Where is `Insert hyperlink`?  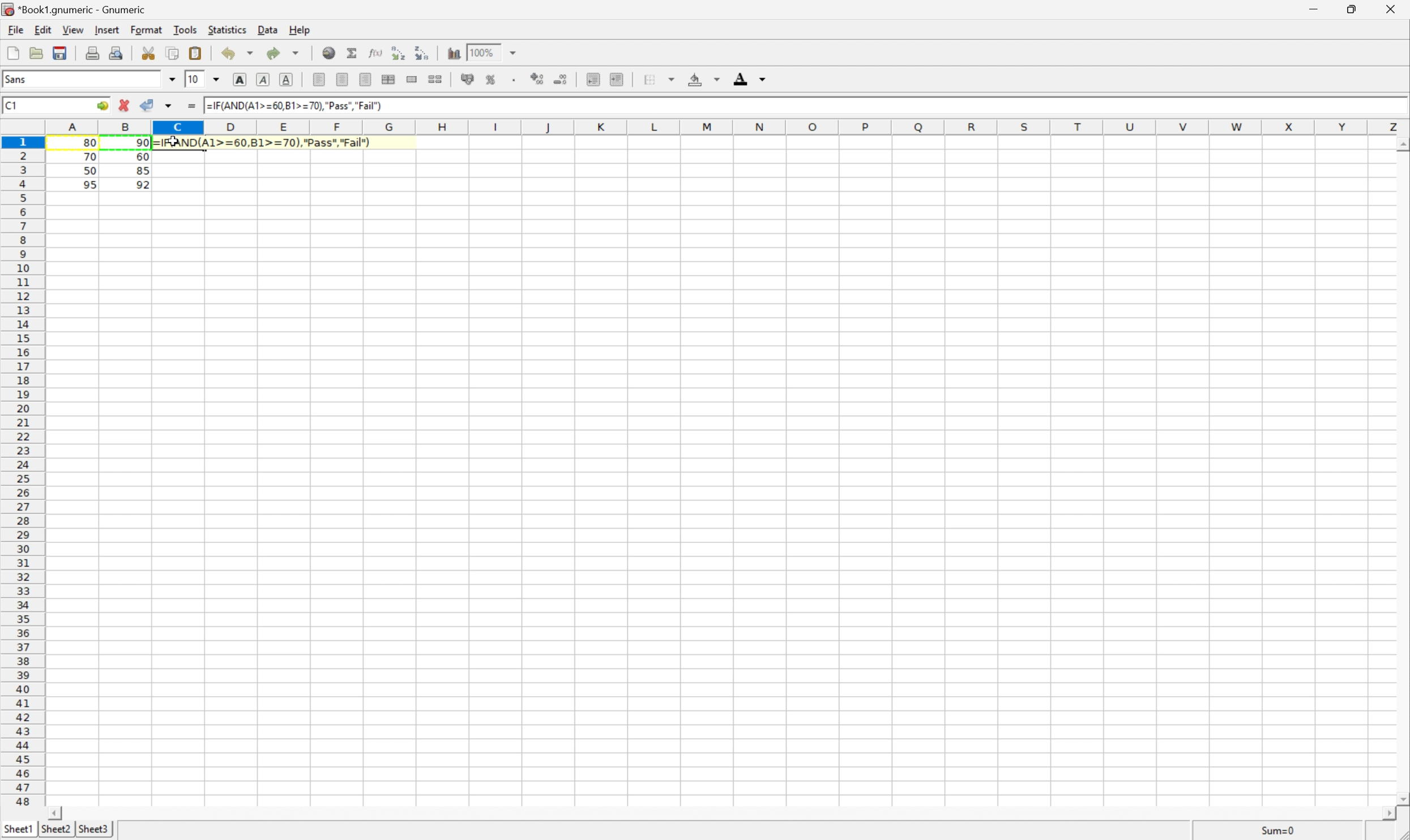
Insert hyperlink is located at coordinates (329, 51).